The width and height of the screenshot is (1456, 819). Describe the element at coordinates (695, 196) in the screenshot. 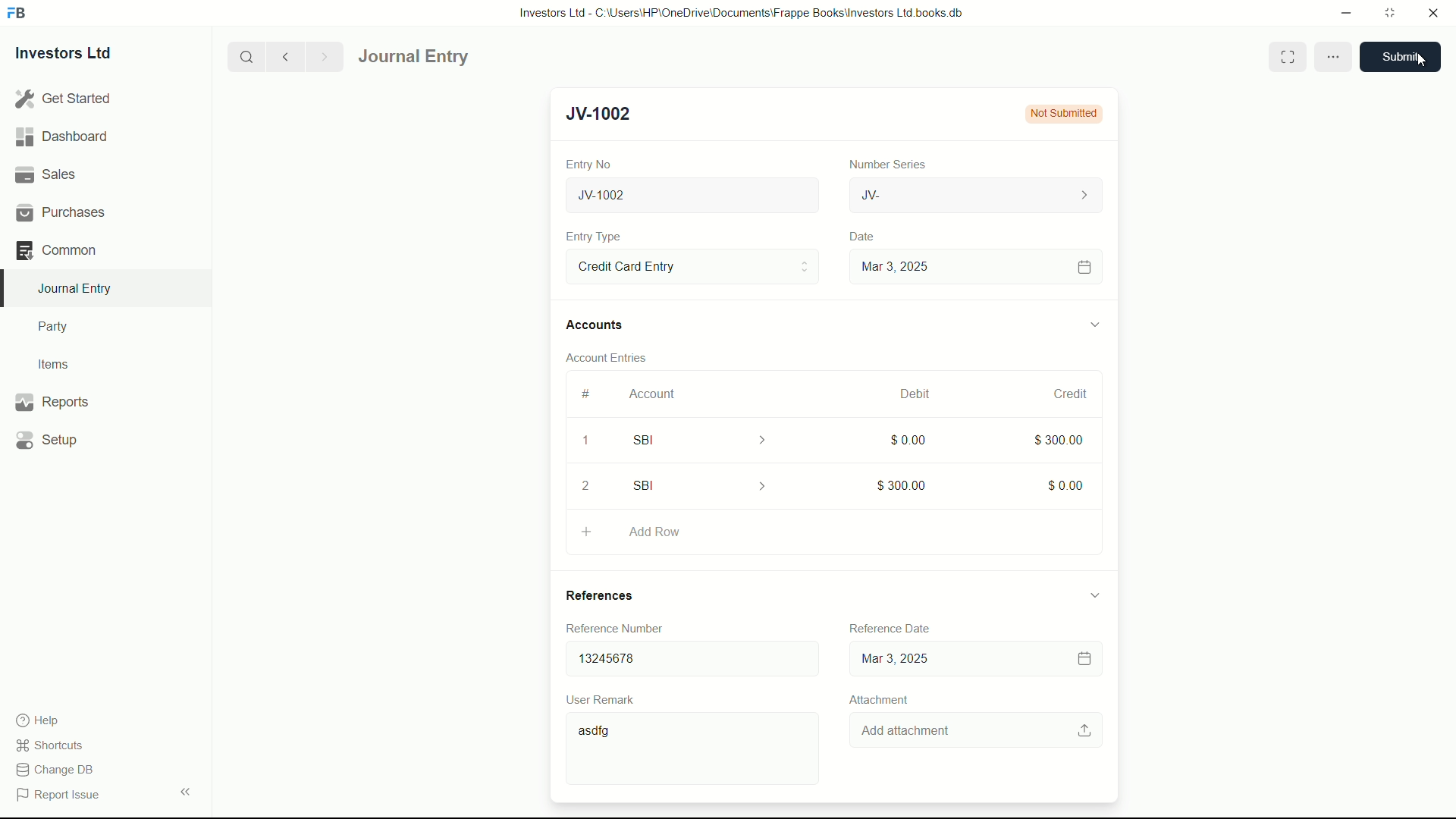

I see `New Journal Entry 05` at that location.